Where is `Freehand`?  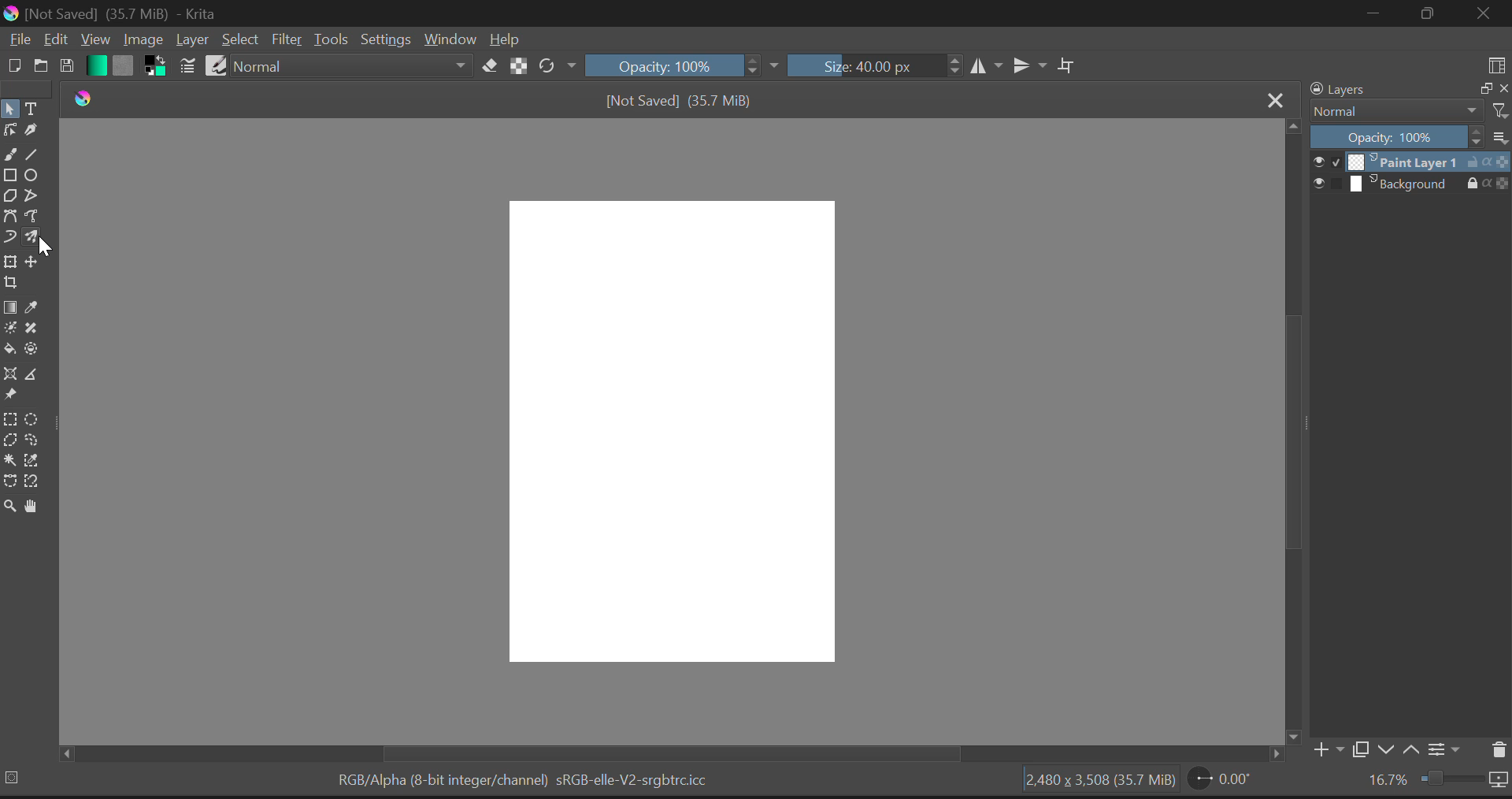
Freehand is located at coordinates (9, 153).